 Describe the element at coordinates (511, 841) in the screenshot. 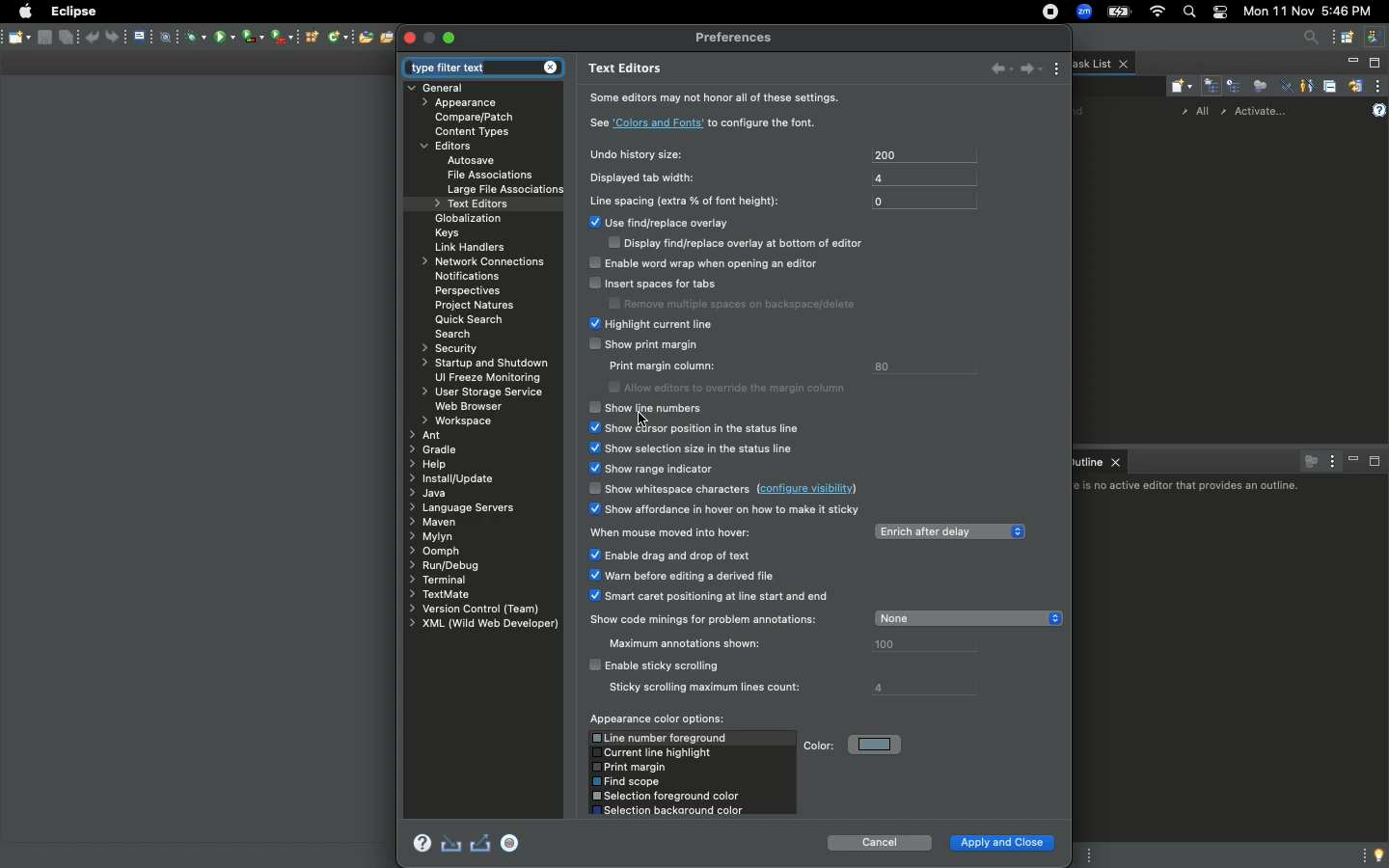

I see `Recorder disabled` at that location.